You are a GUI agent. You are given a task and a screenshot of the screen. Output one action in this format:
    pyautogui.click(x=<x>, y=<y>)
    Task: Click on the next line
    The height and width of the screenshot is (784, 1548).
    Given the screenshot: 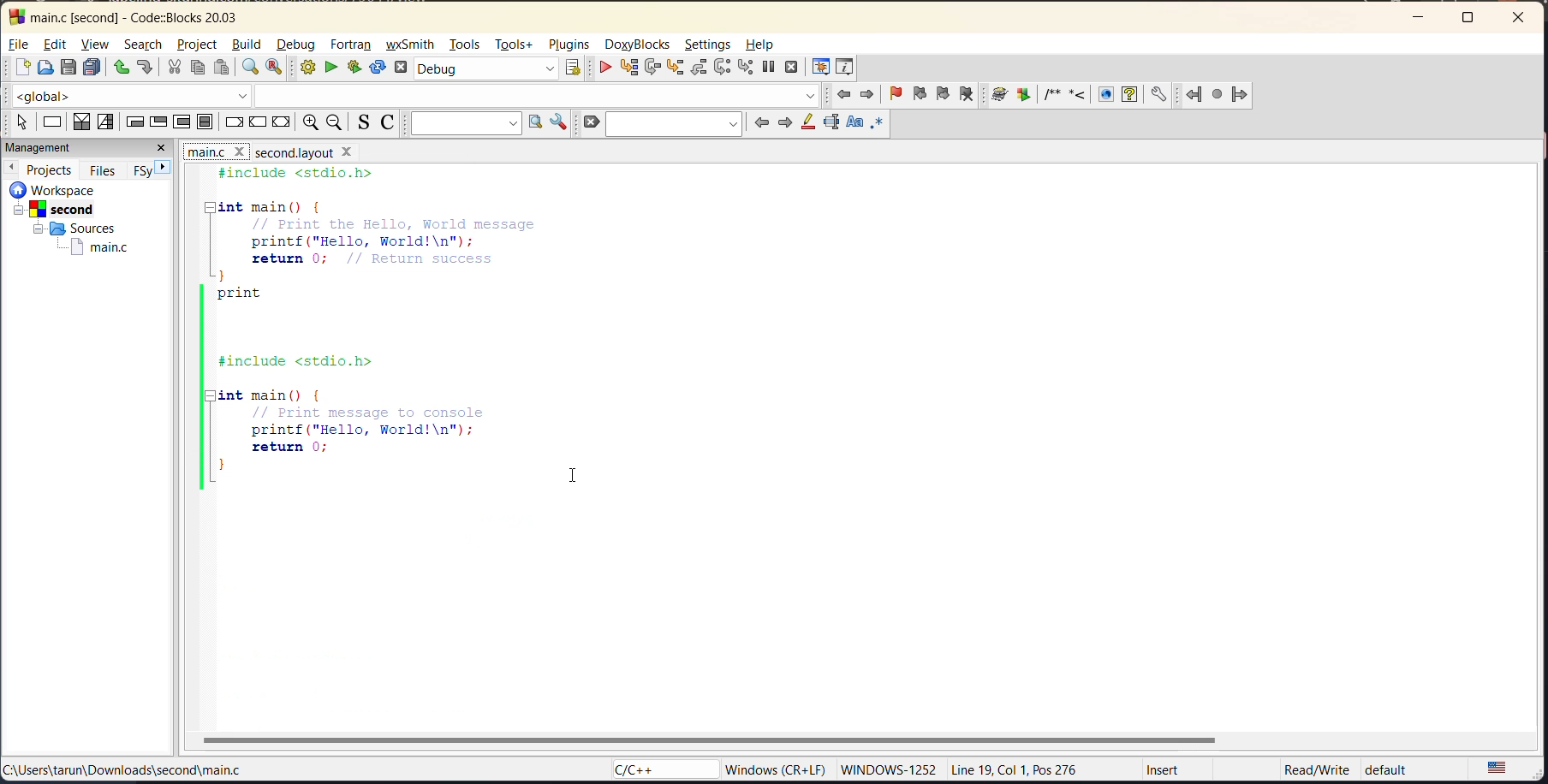 What is the action you would take?
    pyautogui.click(x=653, y=68)
    